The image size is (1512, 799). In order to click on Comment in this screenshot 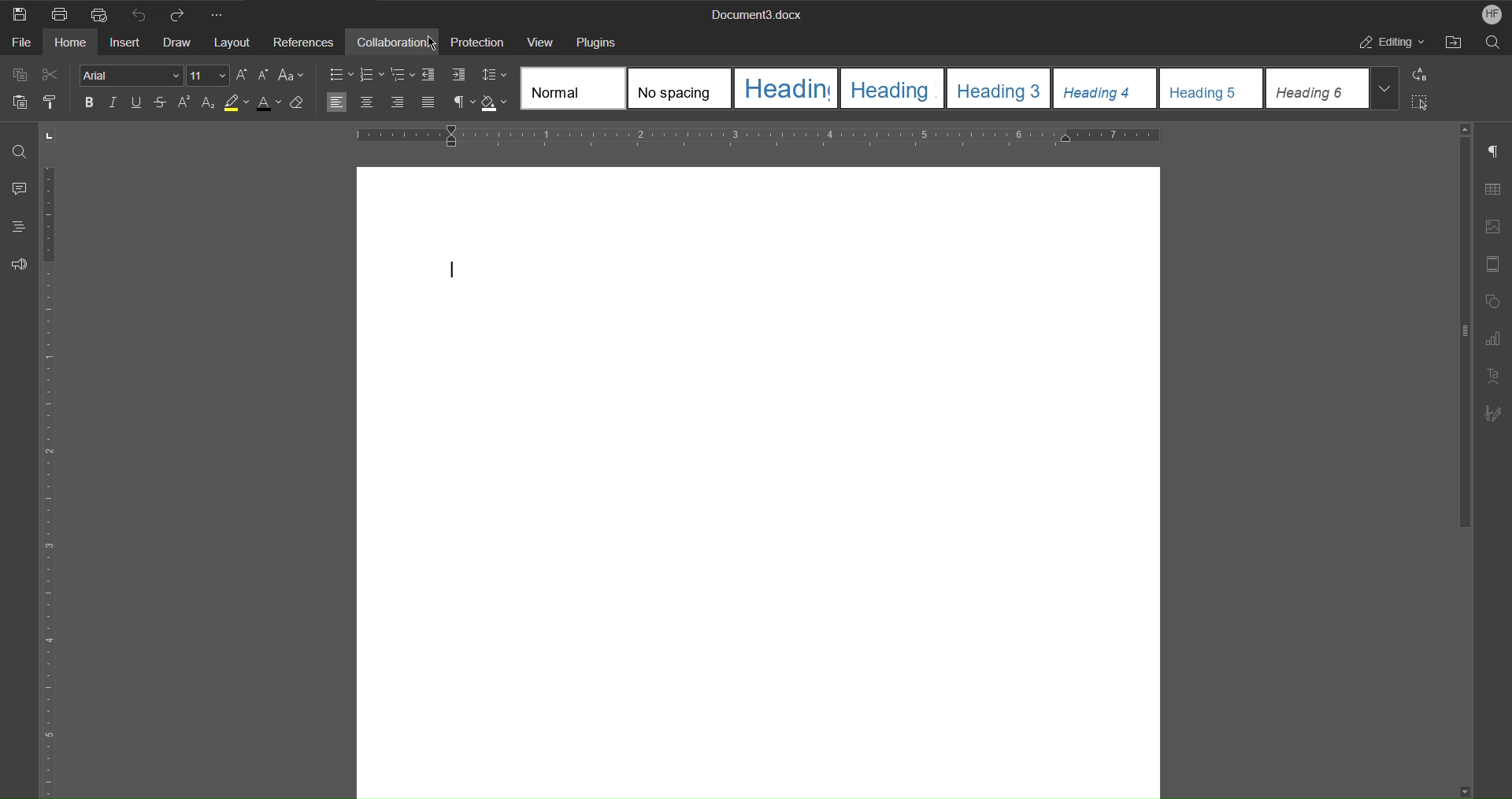, I will do `click(19, 185)`.